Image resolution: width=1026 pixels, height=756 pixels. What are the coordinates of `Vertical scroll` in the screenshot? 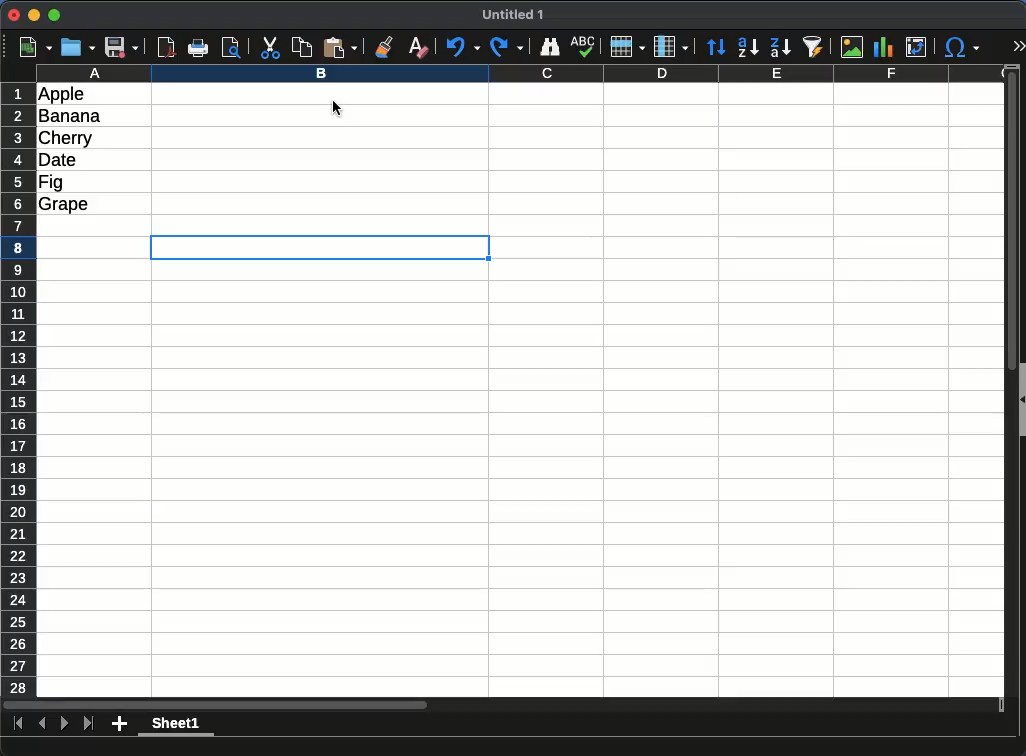 It's located at (1012, 381).